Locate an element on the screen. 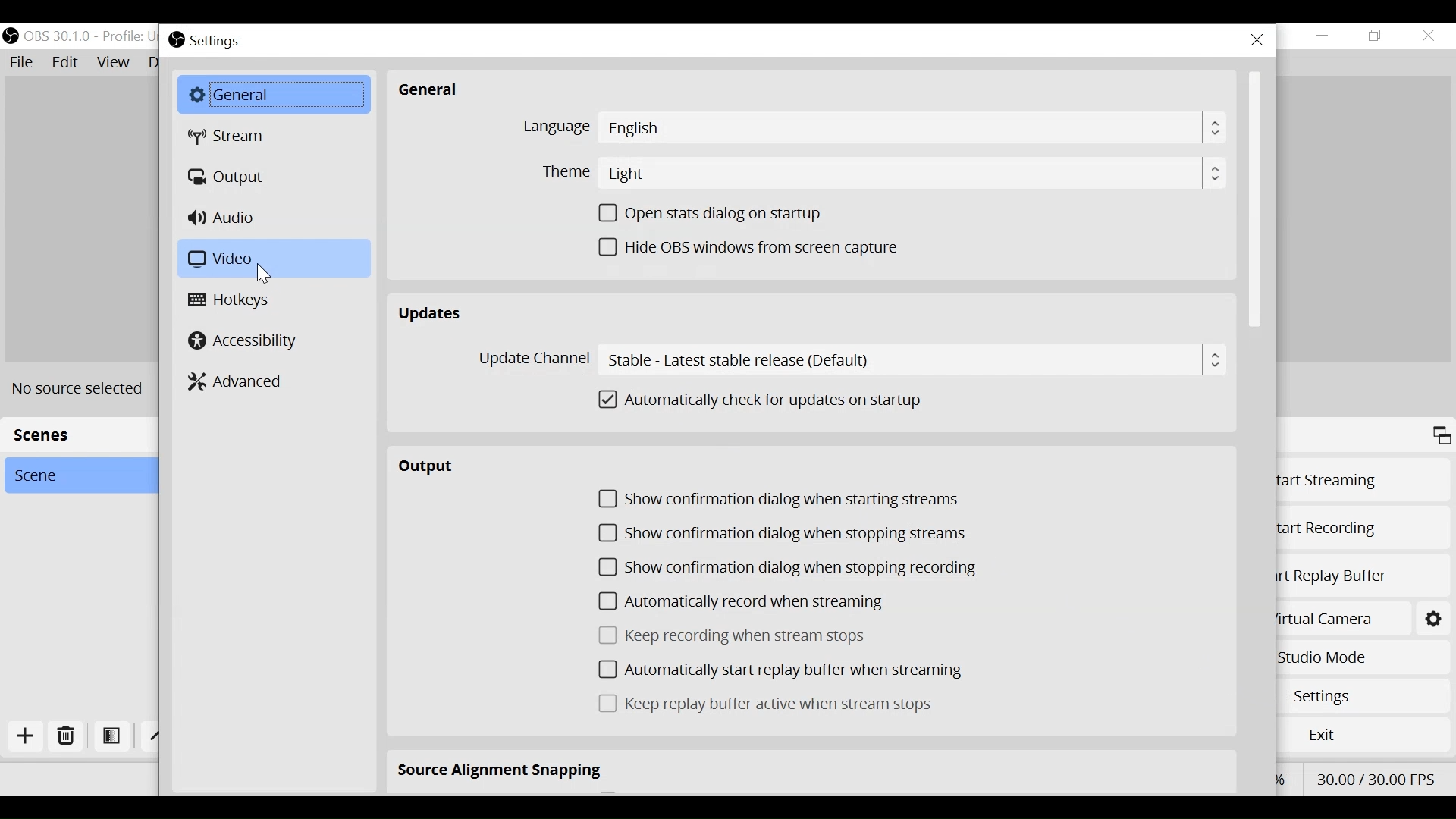 The height and width of the screenshot is (819, 1456). OBS 30.1.0 is located at coordinates (57, 36).